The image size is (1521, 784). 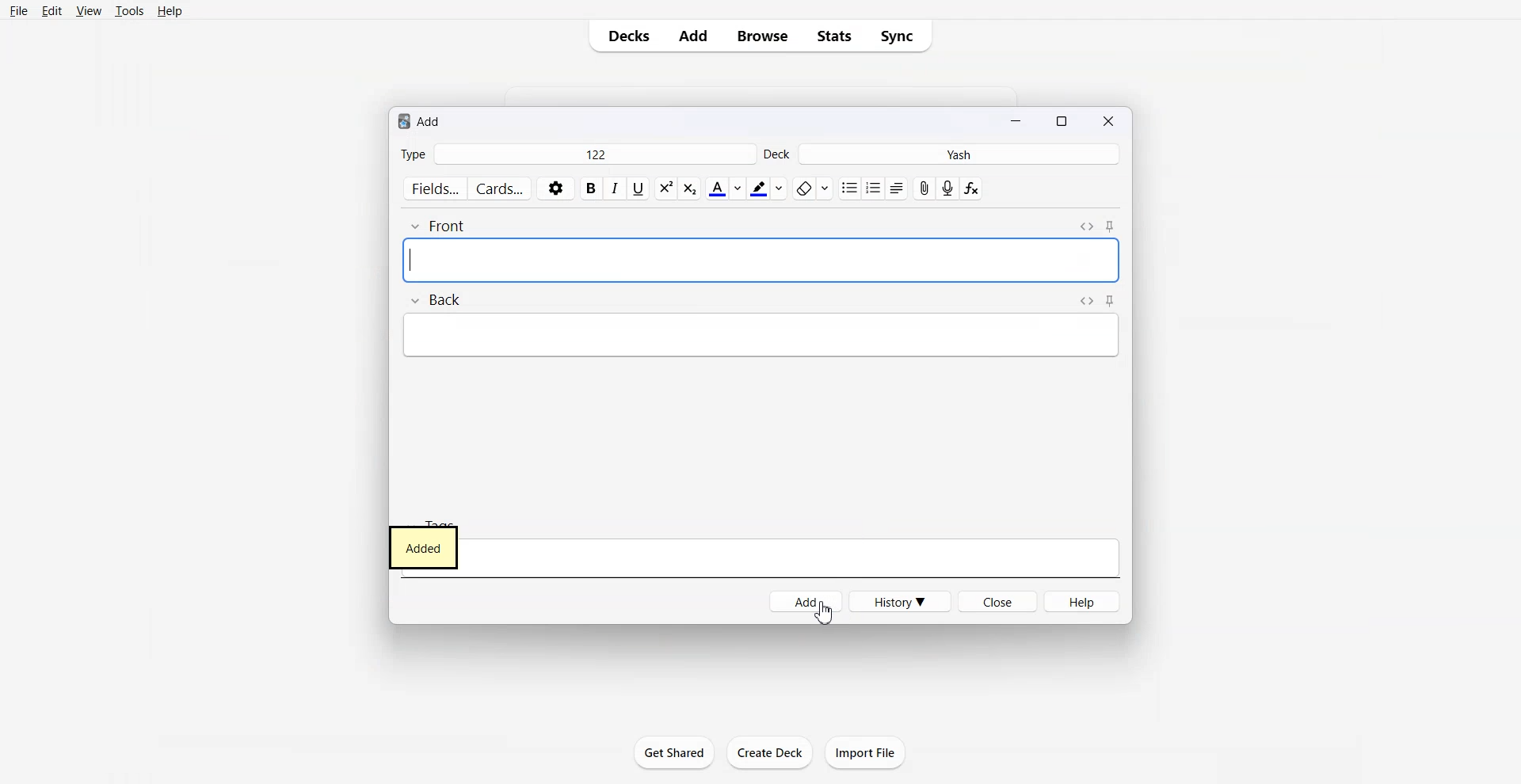 What do you see at coordinates (591, 188) in the screenshot?
I see `Bold` at bounding box center [591, 188].